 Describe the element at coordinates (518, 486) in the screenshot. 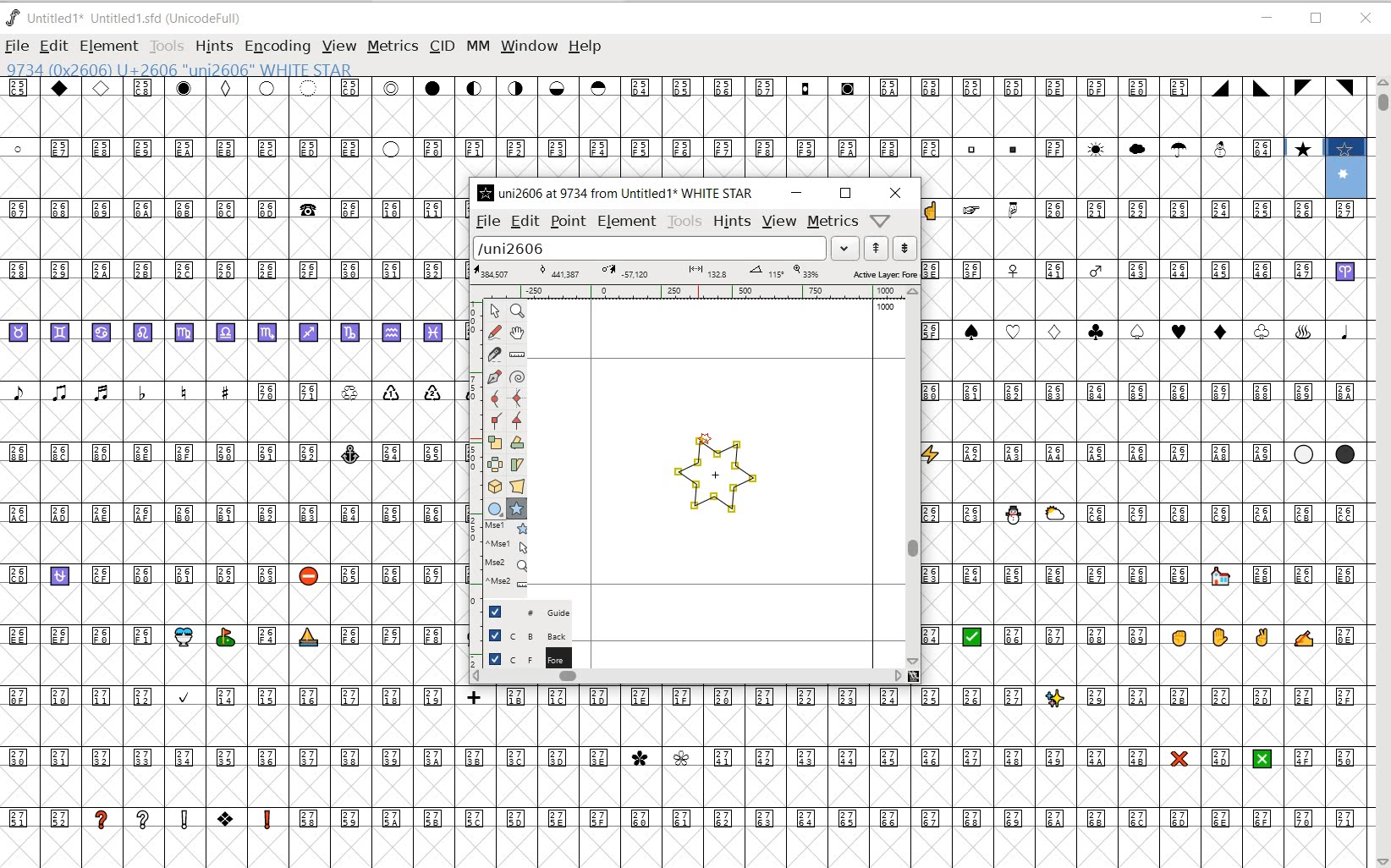

I see `PERFORM A PERSPECTIVE TRANSFORMATION ON THE SELECTION` at that location.